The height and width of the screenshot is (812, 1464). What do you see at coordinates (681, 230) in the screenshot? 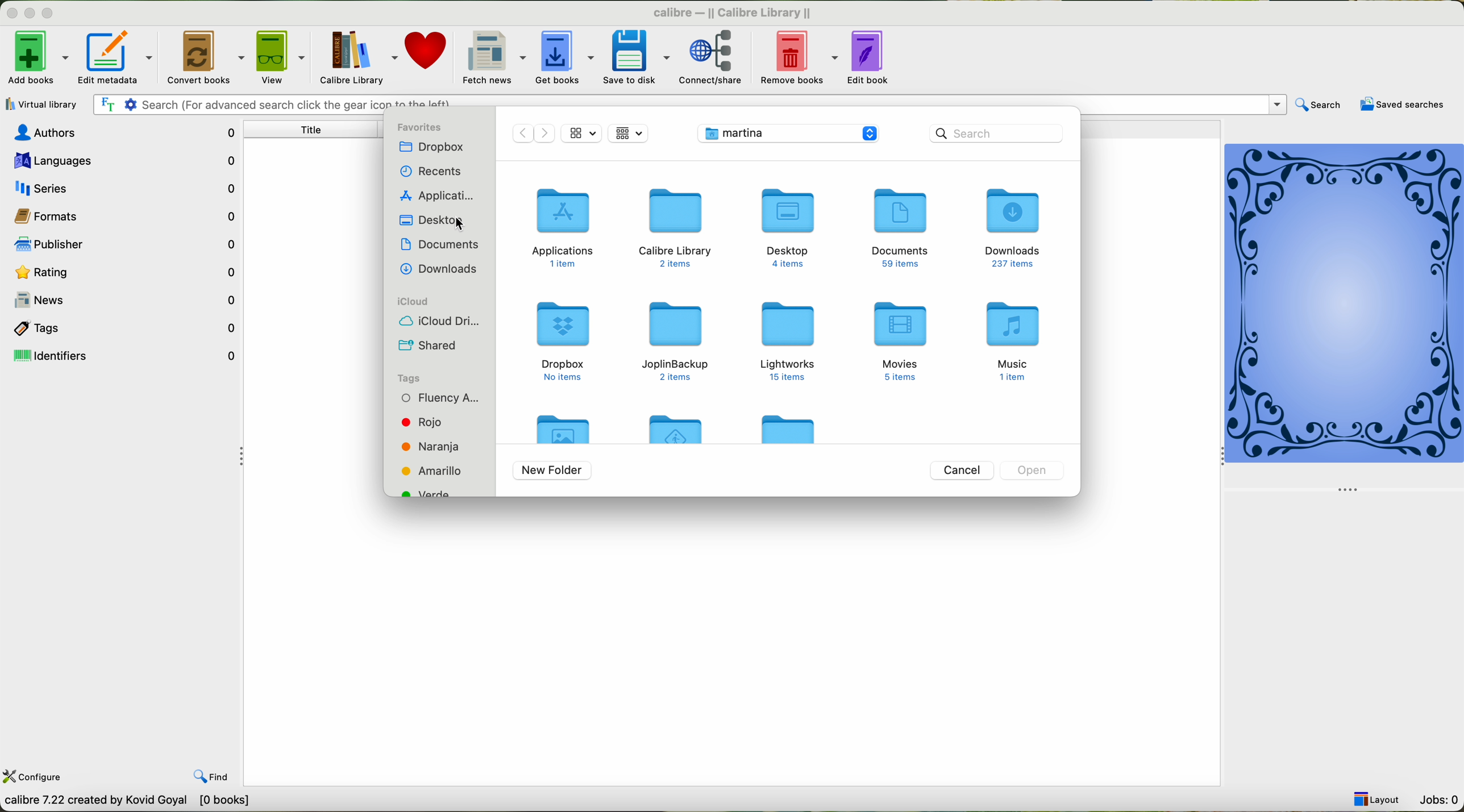
I see `calibre folder` at bounding box center [681, 230].